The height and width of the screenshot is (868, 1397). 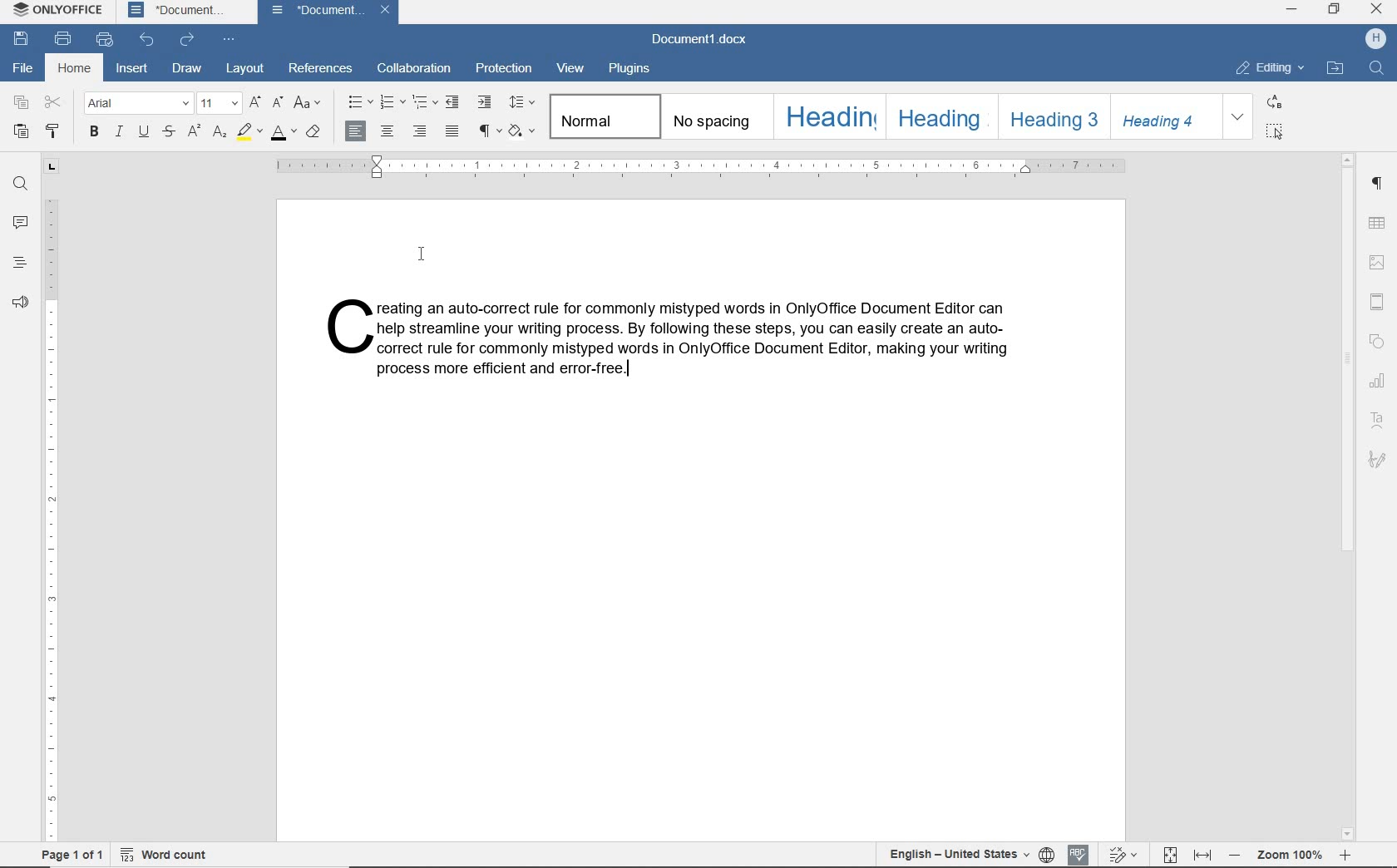 What do you see at coordinates (256, 101) in the screenshot?
I see `INCREMENT FONT SIZE` at bounding box center [256, 101].